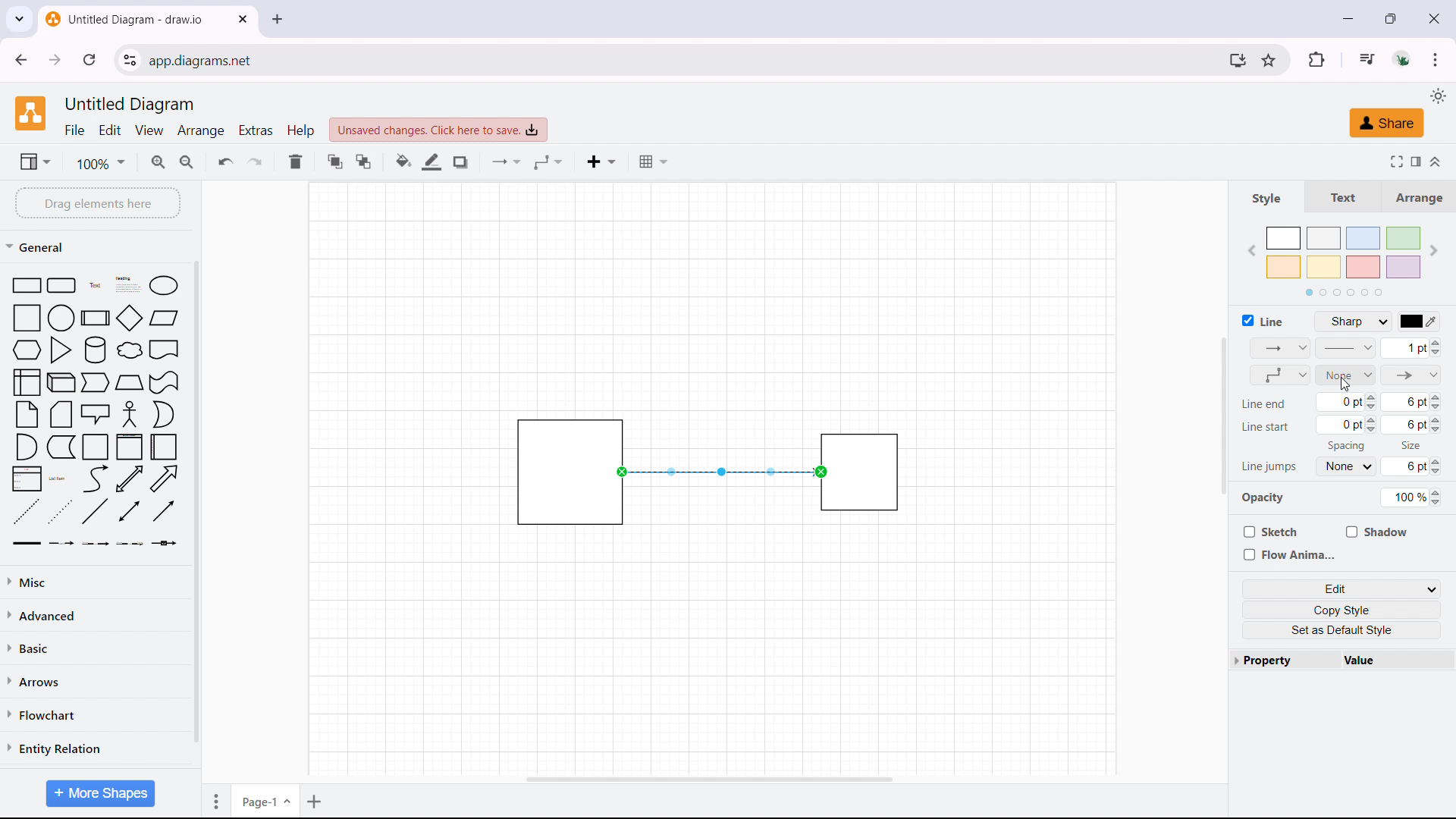  I want to click on Size, so click(1408, 444).